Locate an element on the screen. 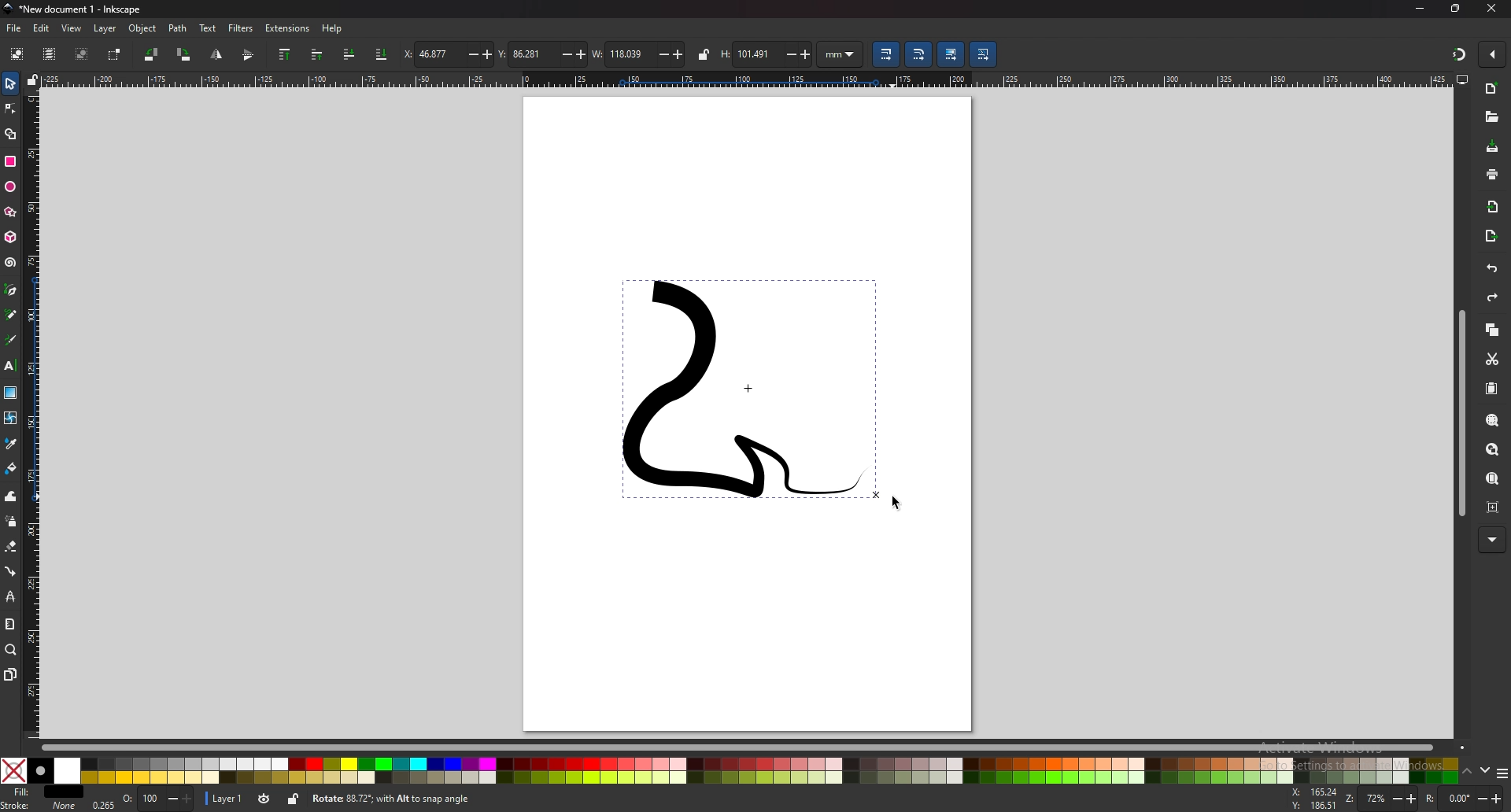 The image size is (1511, 812). import is located at coordinates (1492, 208).